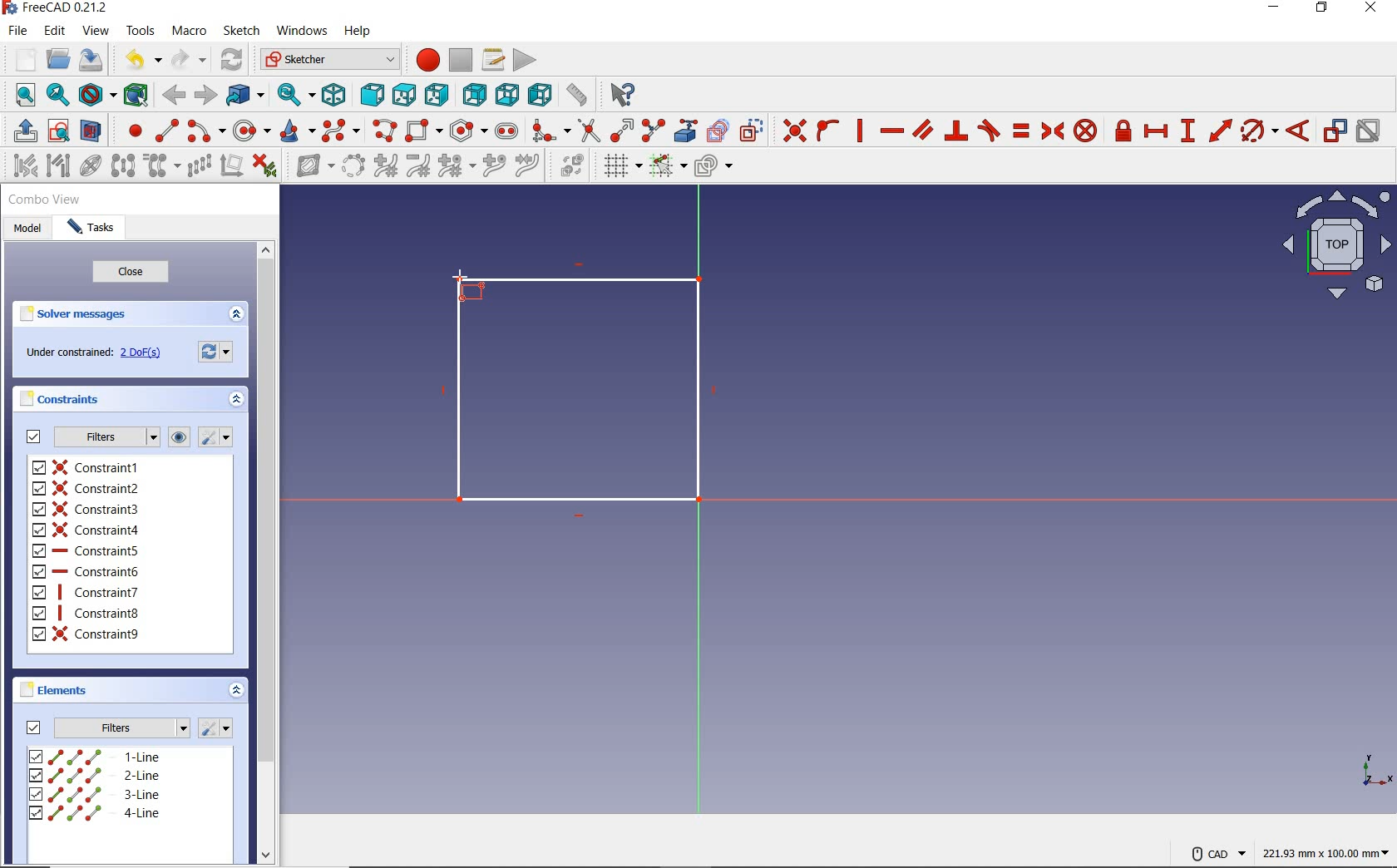 This screenshot has width=1397, height=868. What do you see at coordinates (21, 94) in the screenshot?
I see `fit all` at bounding box center [21, 94].